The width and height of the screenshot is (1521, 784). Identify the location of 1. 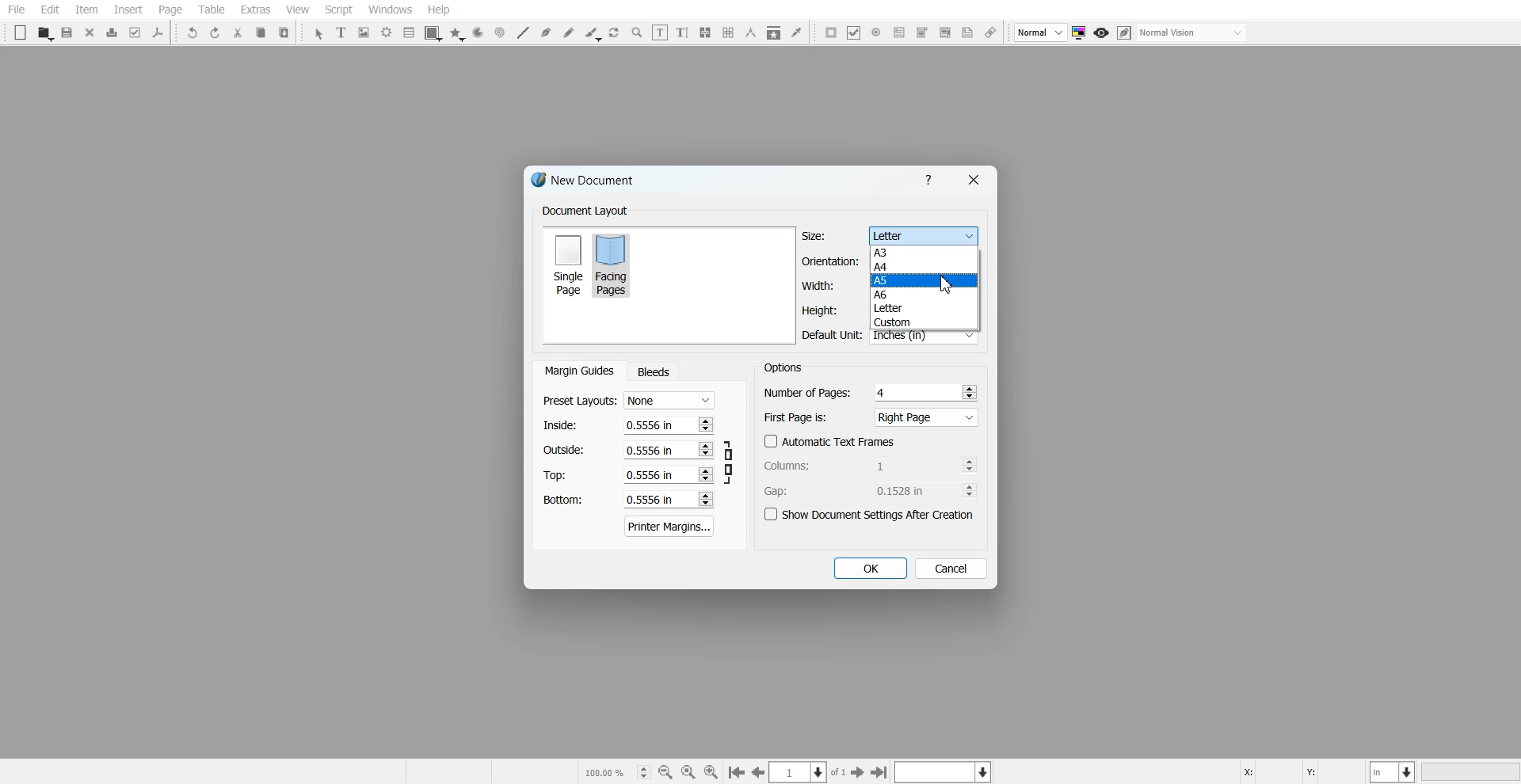
(904, 465).